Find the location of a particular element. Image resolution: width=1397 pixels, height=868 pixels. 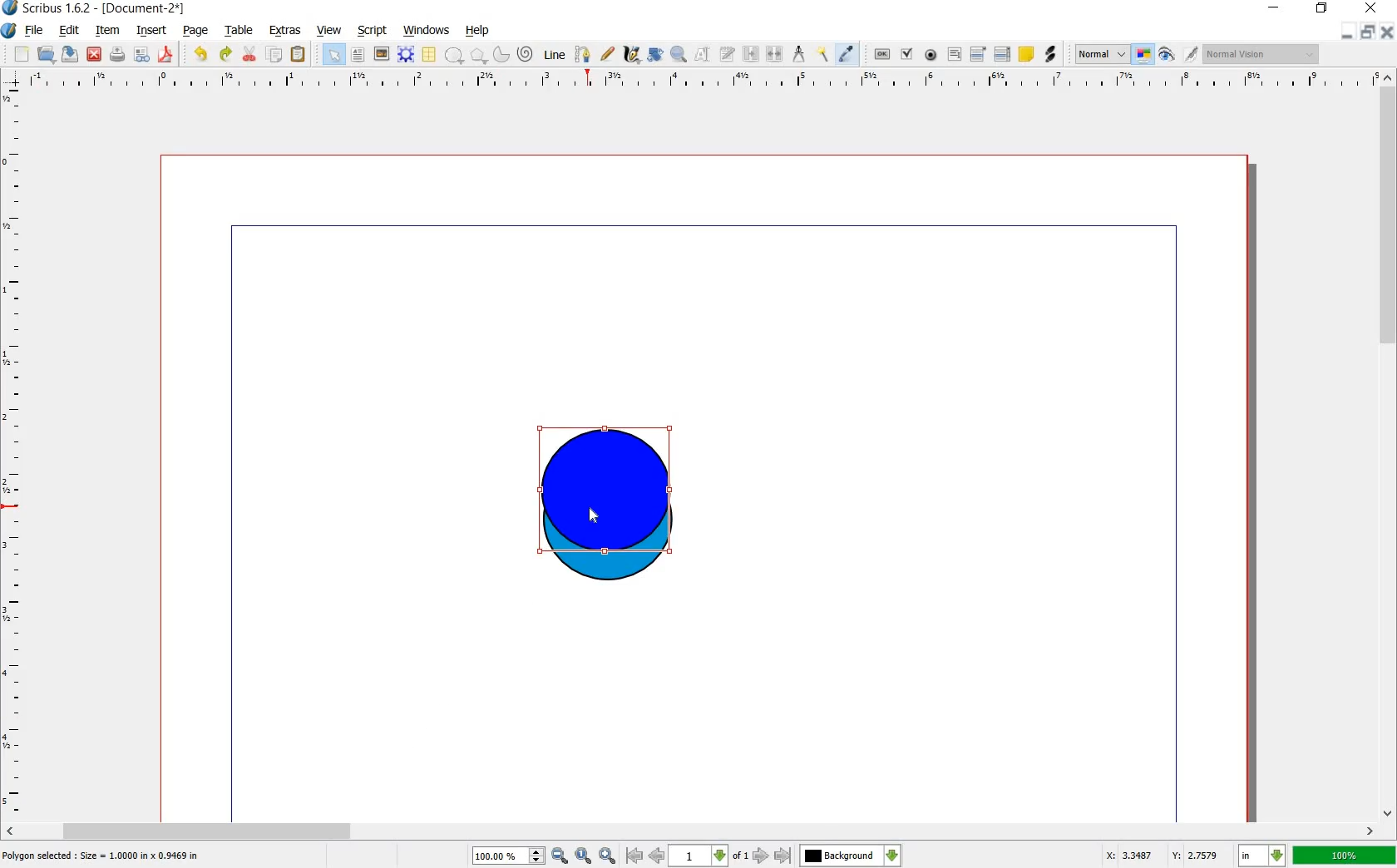

eye dropper is located at coordinates (846, 54).